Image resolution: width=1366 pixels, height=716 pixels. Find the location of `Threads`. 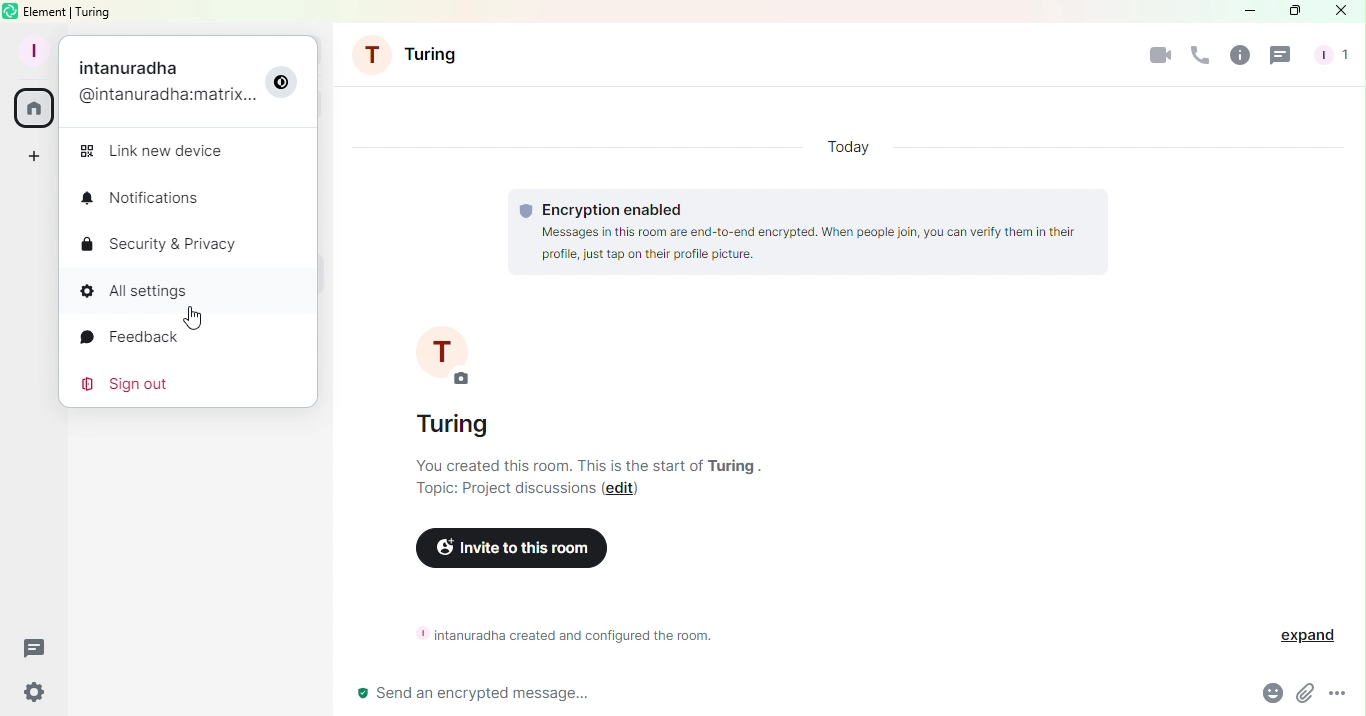

Threads is located at coordinates (1278, 58).